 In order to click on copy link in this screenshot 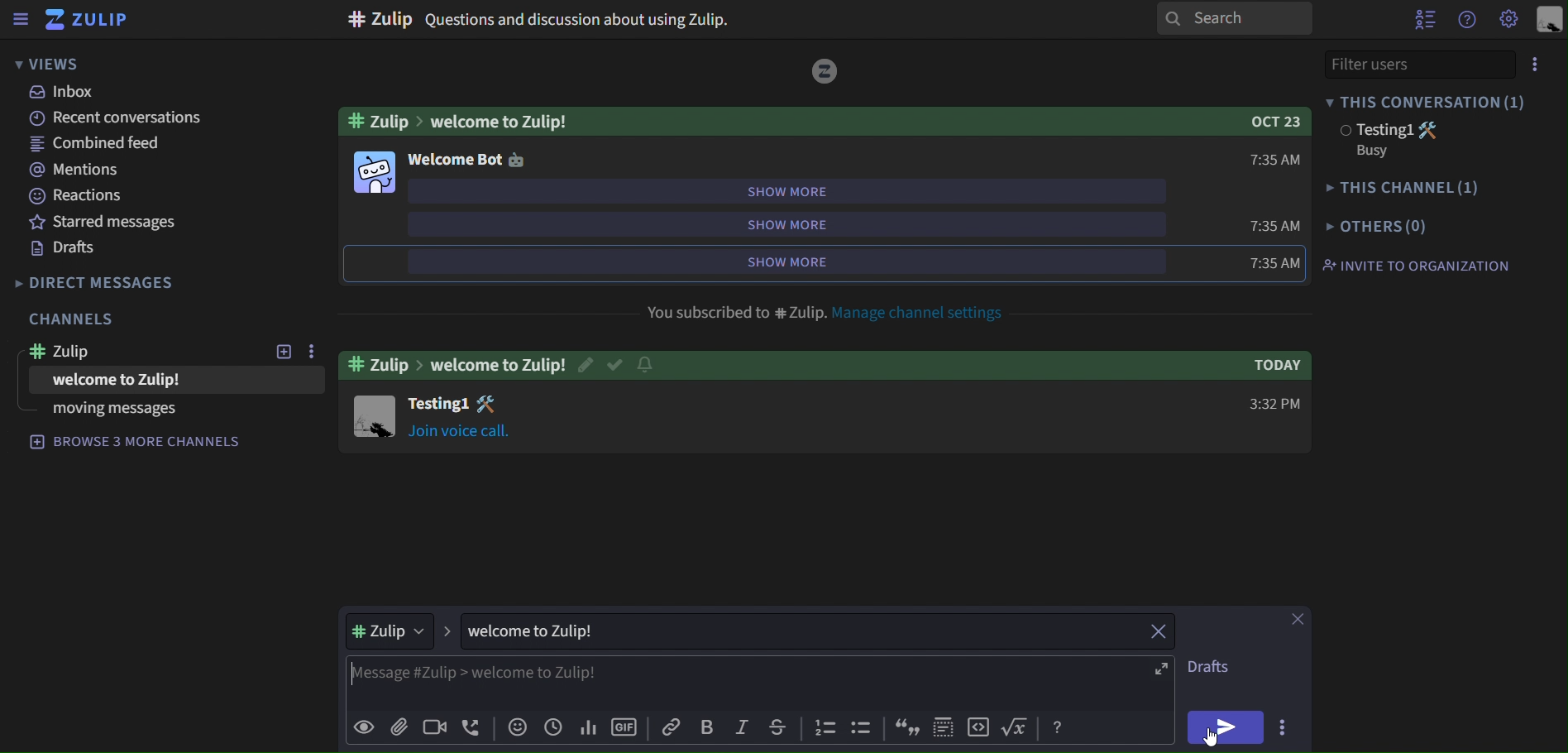, I will do `click(668, 727)`.